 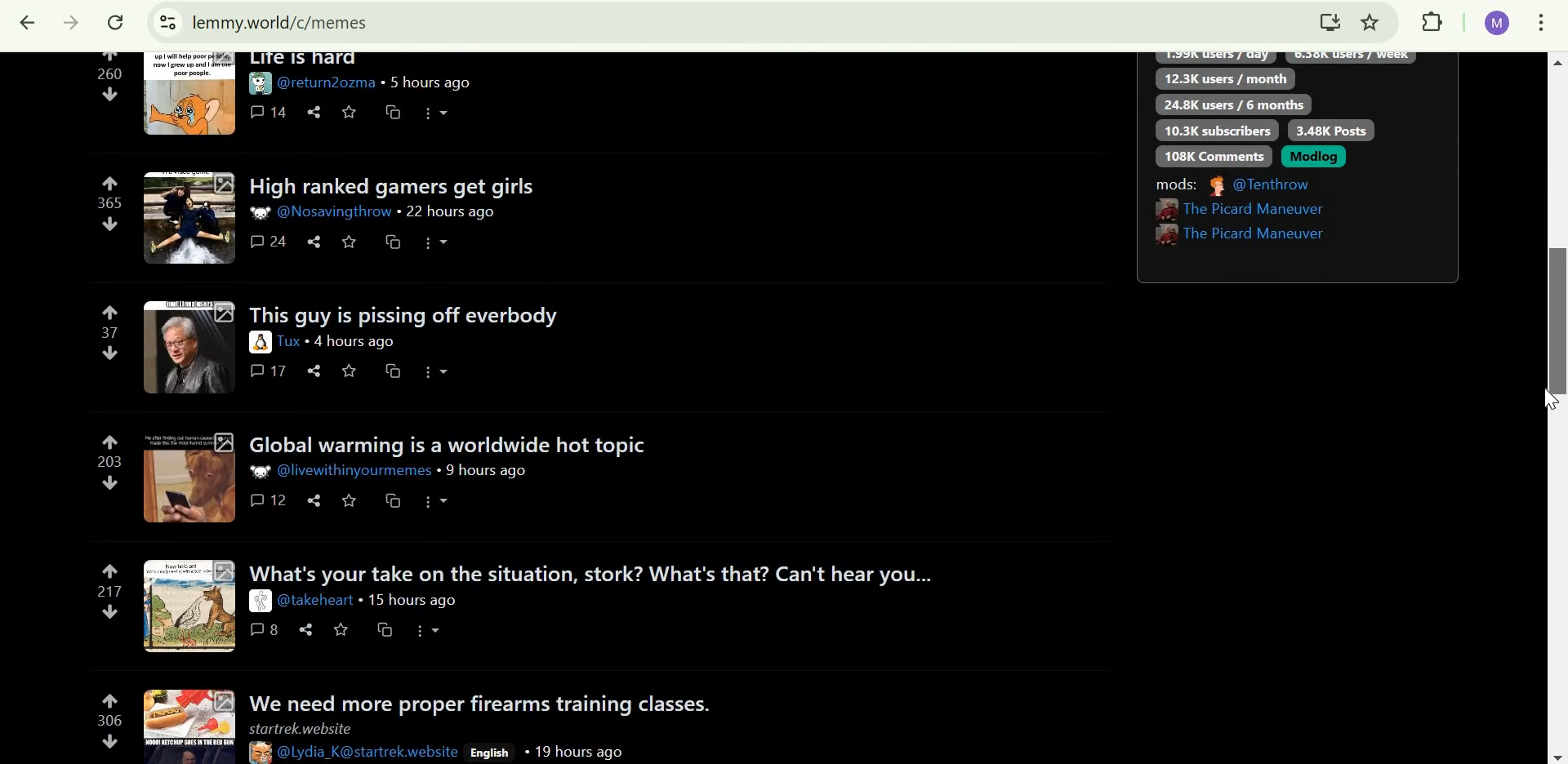 What do you see at coordinates (108, 461) in the screenshot?
I see `203 points` at bounding box center [108, 461].